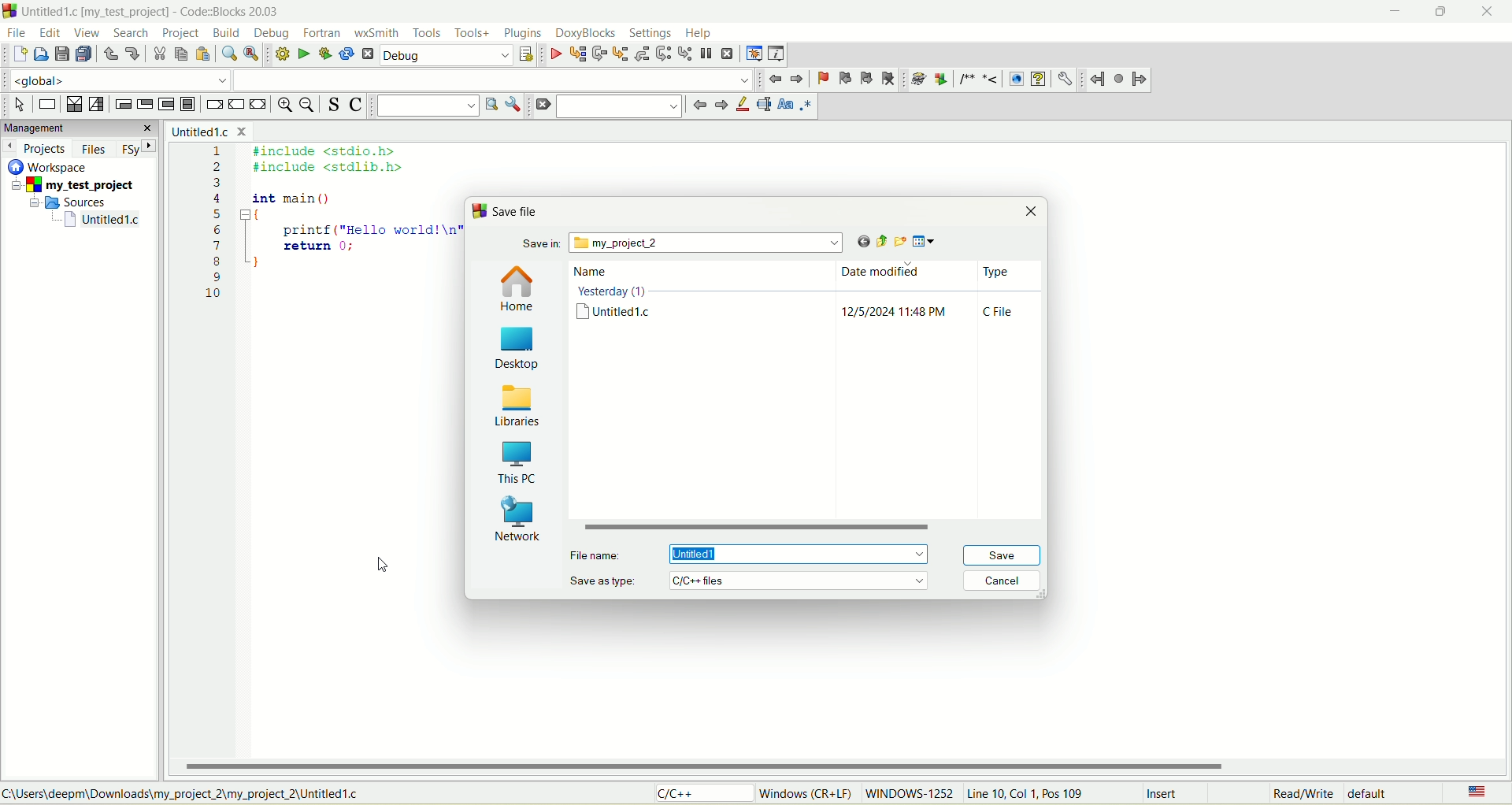 The image size is (1512, 805). What do you see at coordinates (309, 106) in the screenshot?
I see `zoom out` at bounding box center [309, 106].